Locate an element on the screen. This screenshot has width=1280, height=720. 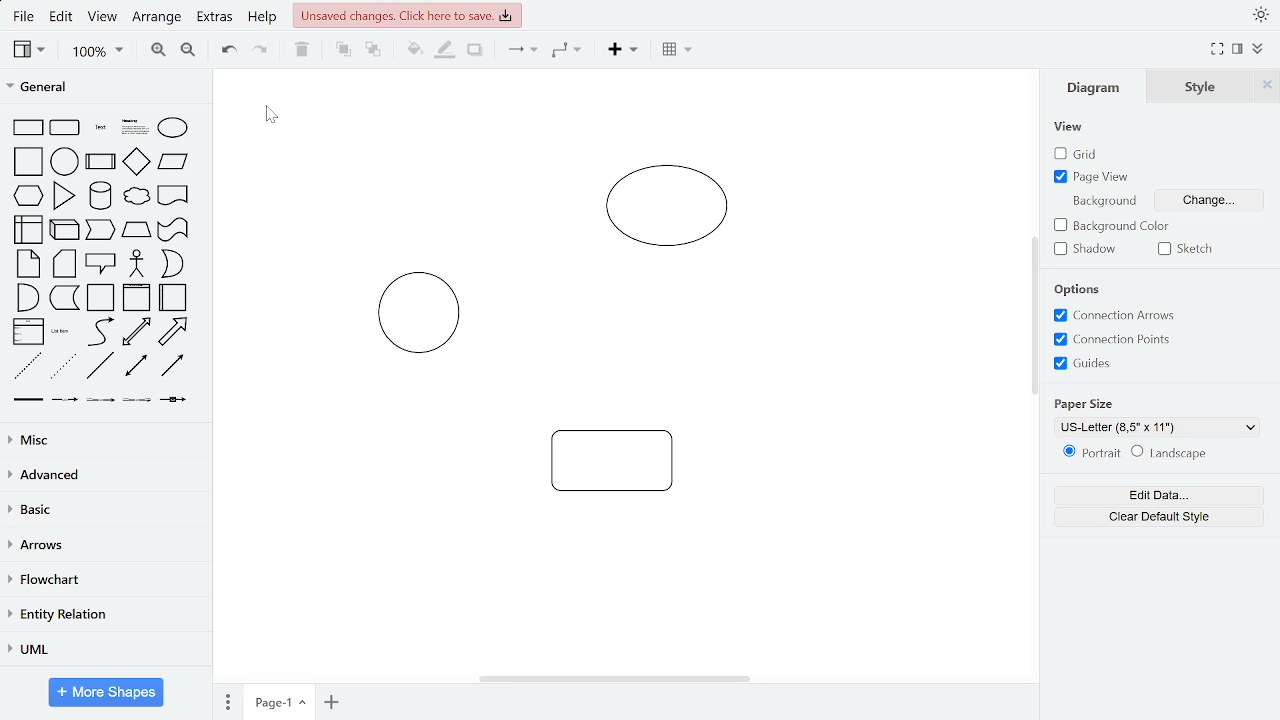
basic is located at coordinates (101, 511).